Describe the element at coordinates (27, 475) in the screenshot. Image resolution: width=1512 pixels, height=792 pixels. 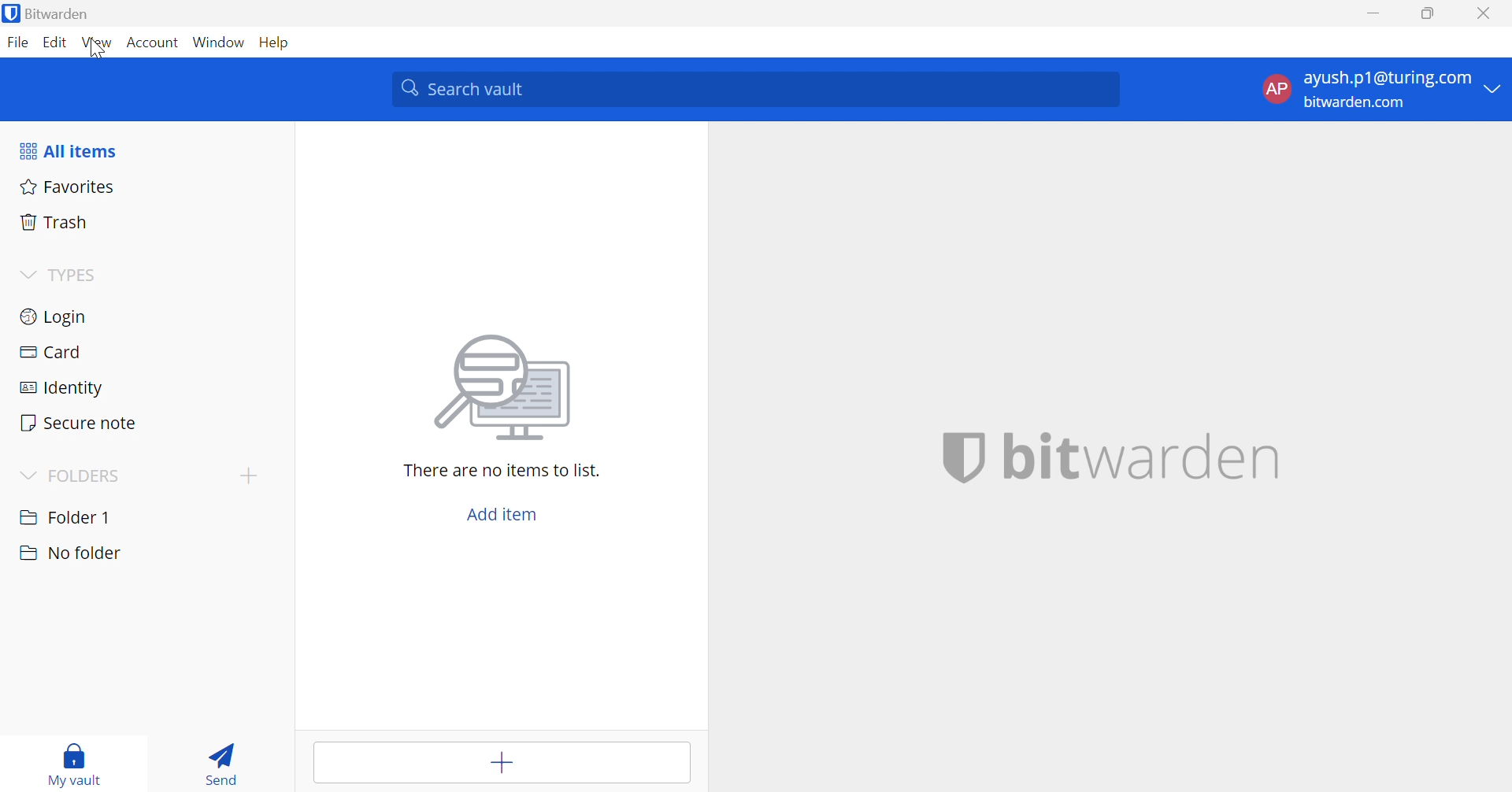
I see `Drop Down` at that location.